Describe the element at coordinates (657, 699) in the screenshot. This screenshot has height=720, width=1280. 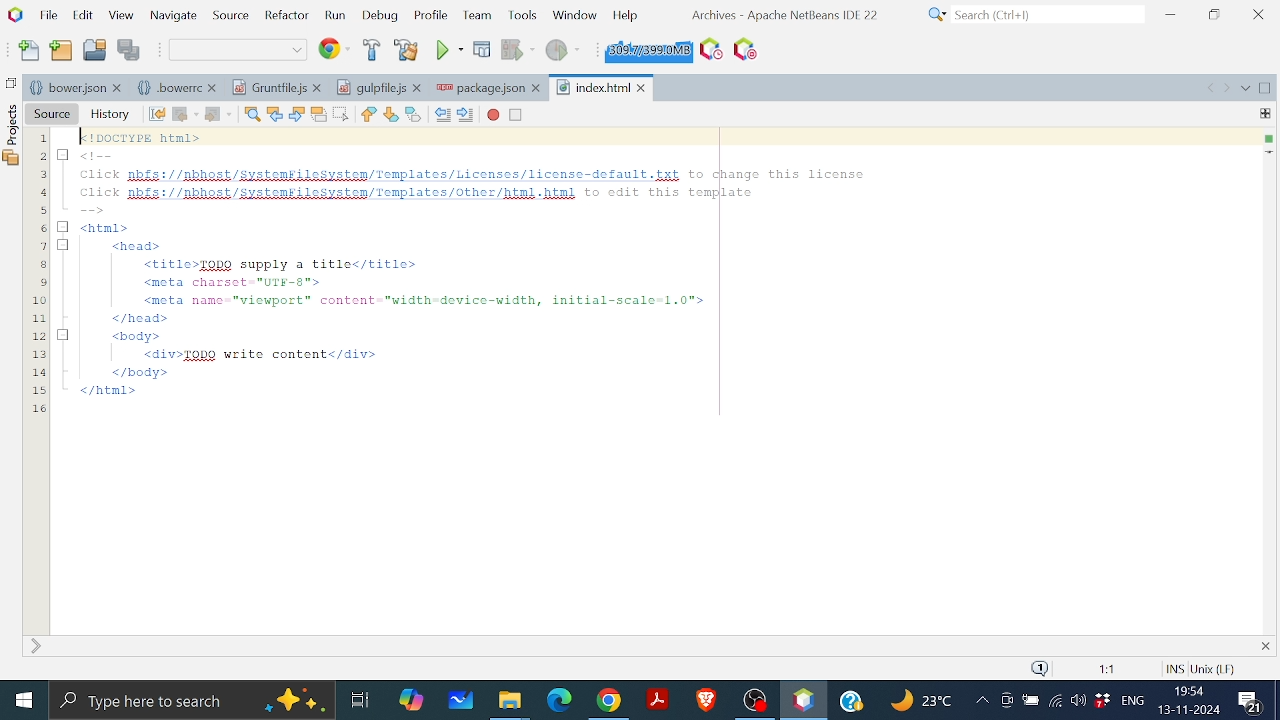
I see `Adobe reader` at that location.